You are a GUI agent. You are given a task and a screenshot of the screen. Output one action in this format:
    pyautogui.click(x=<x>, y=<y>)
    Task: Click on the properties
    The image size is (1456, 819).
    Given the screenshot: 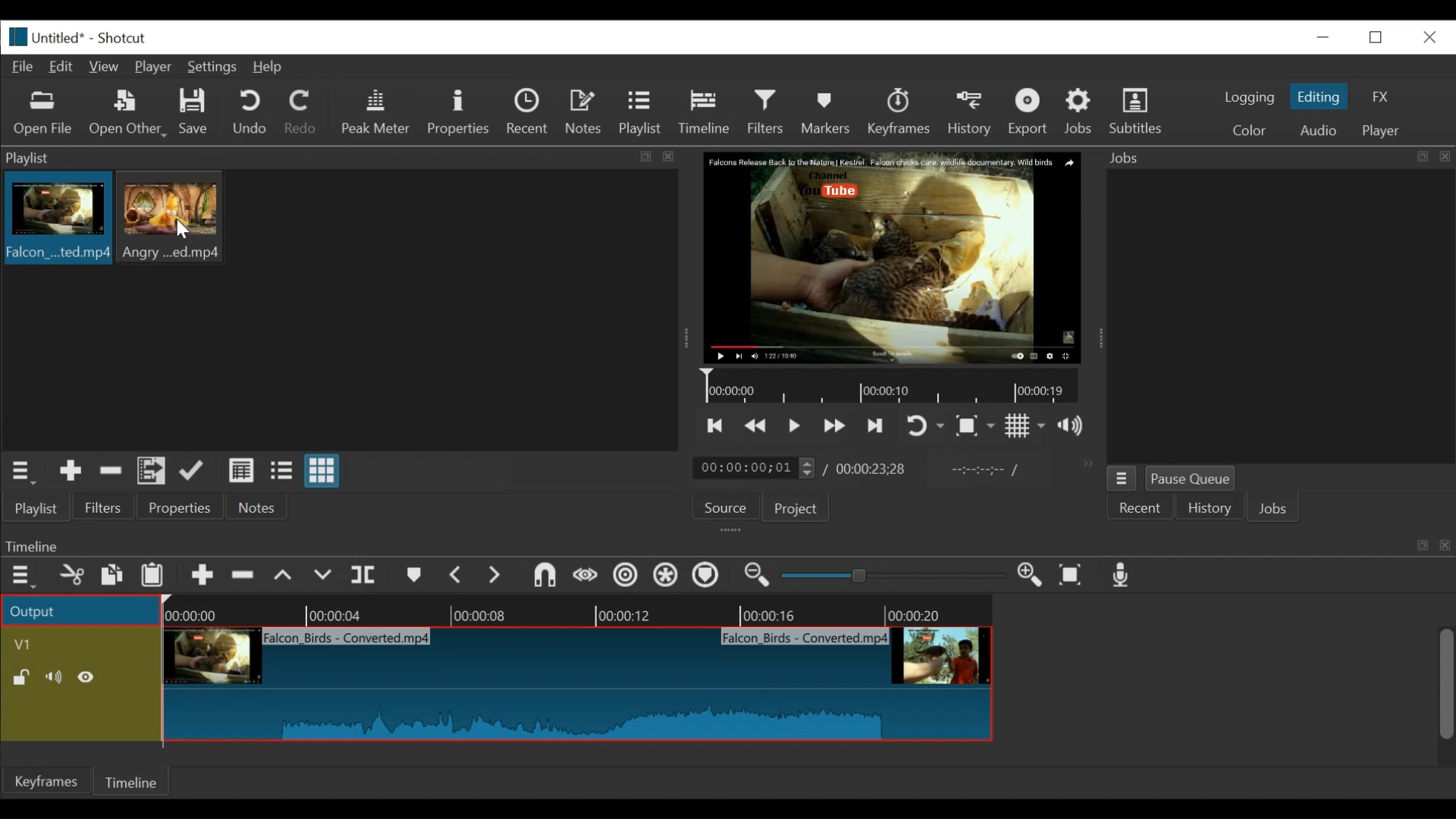 What is the action you would take?
    pyautogui.click(x=181, y=508)
    